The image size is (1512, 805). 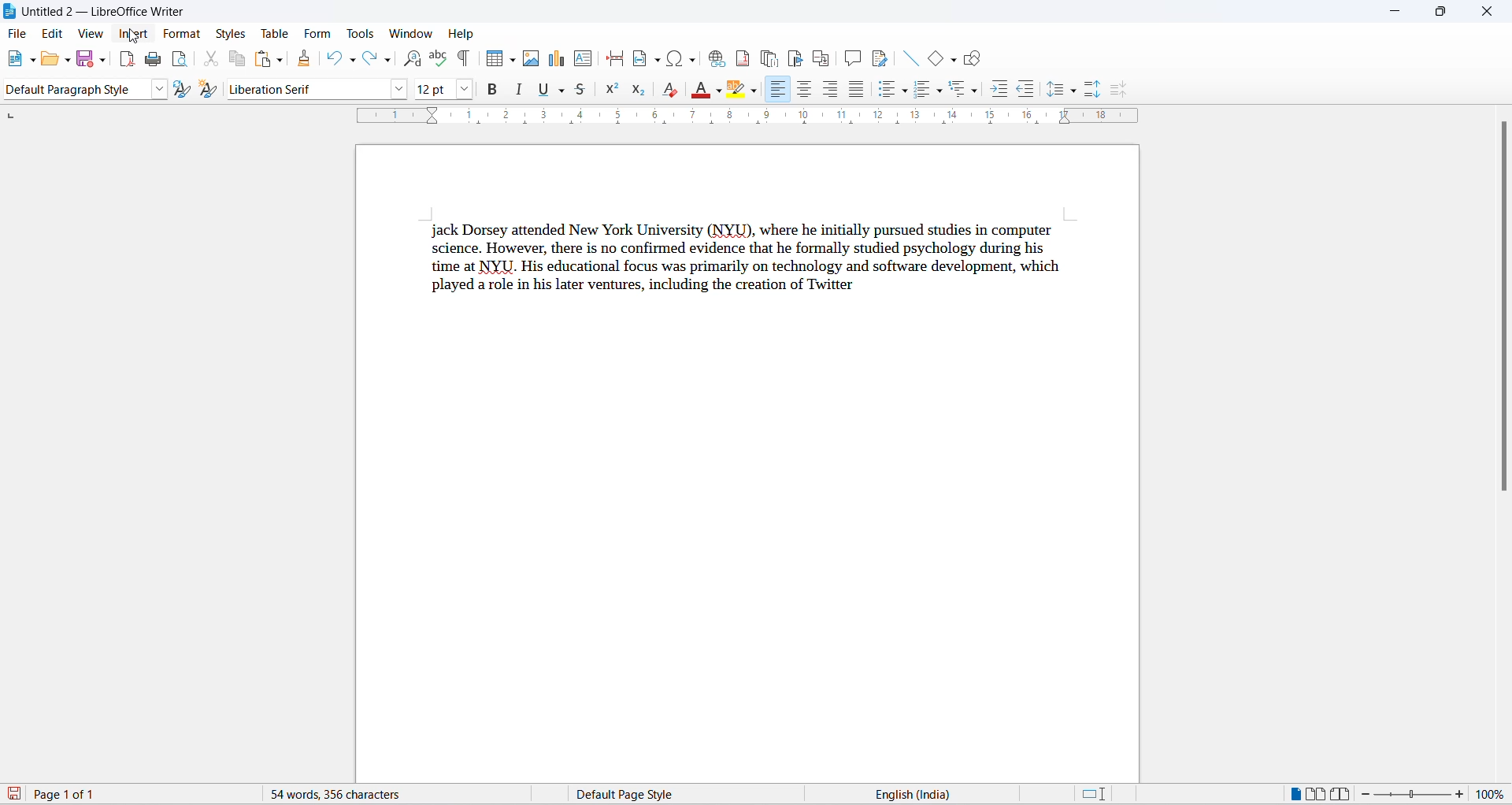 I want to click on undo, so click(x=334, y=57).